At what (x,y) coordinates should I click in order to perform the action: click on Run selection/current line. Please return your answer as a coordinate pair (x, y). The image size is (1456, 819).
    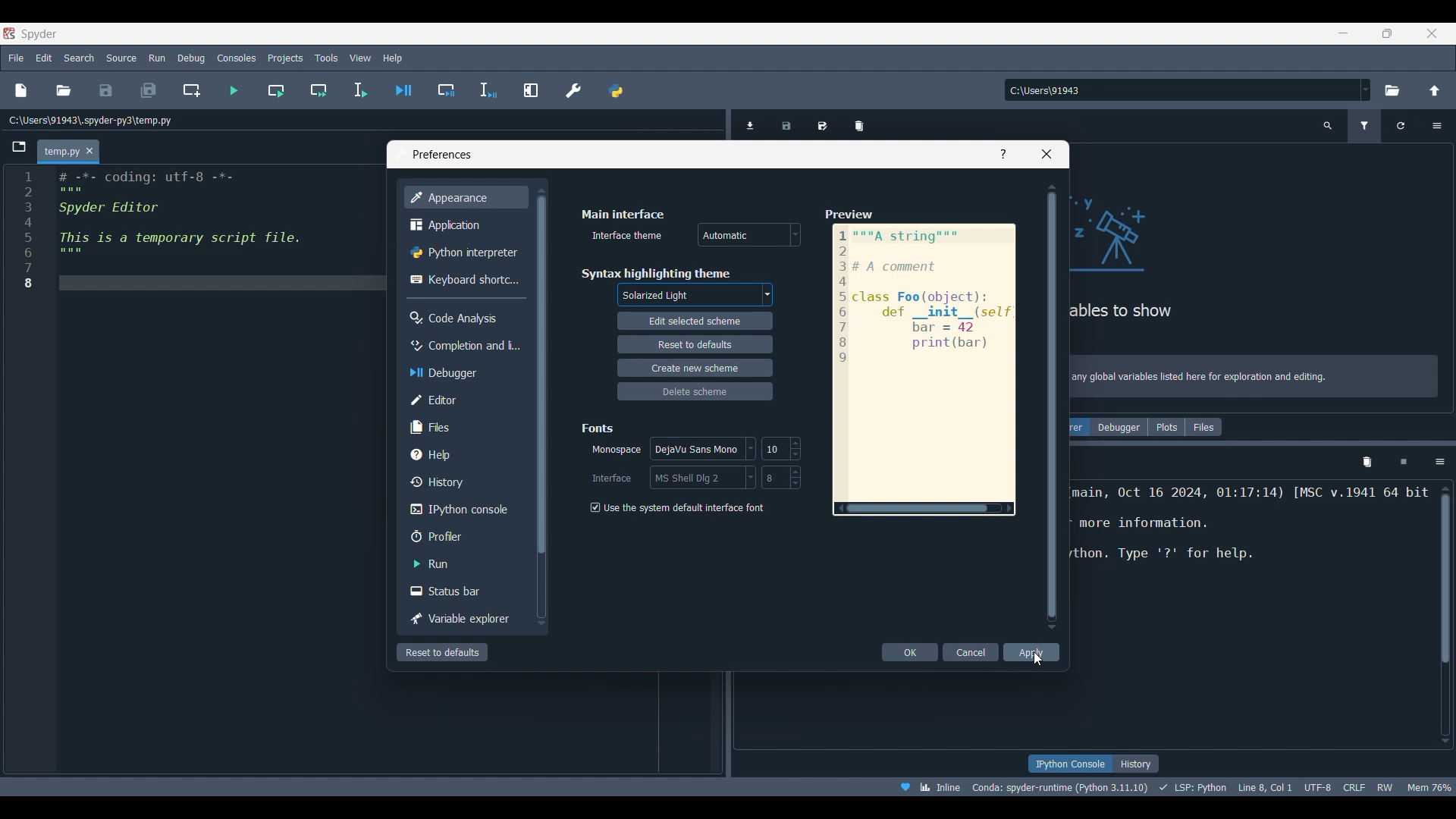
    Looking at the image, I should click on (360, 90).